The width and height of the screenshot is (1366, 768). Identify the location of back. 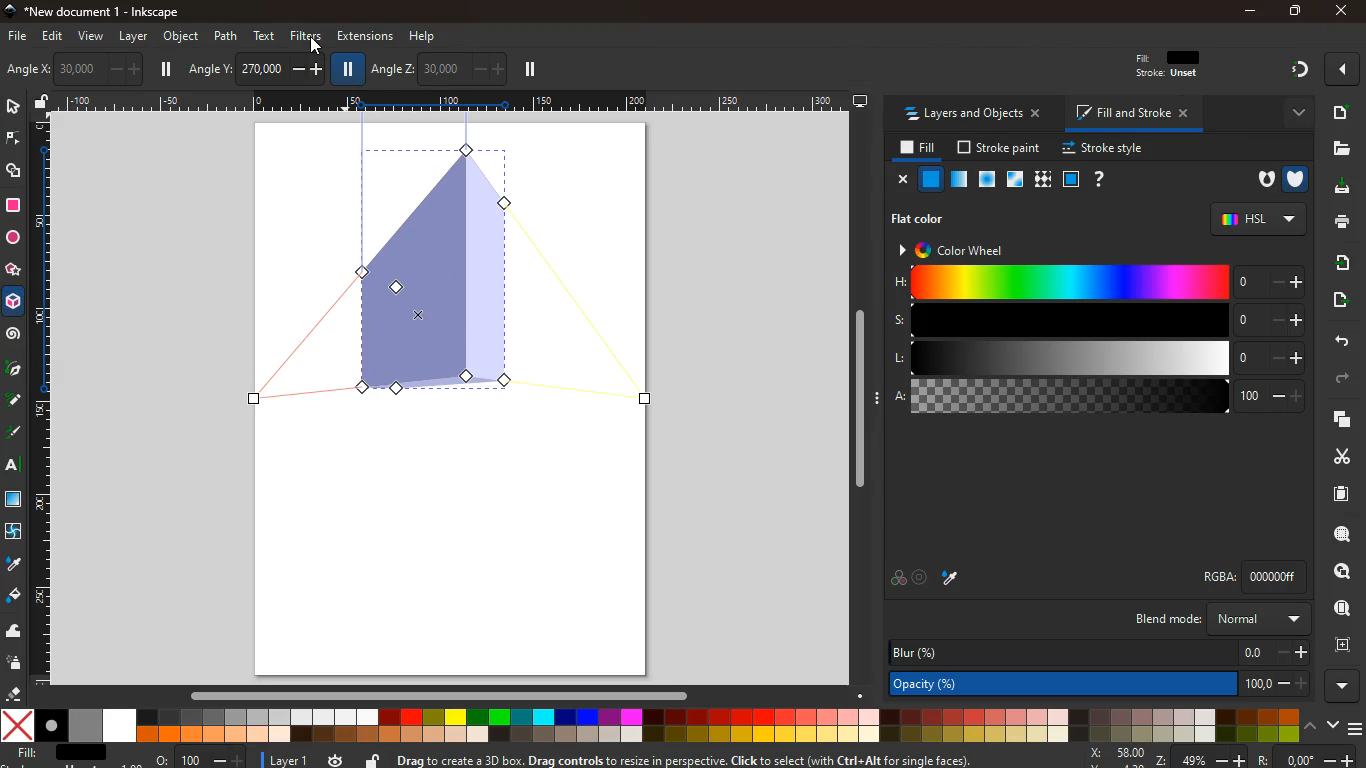
(1340, 340).